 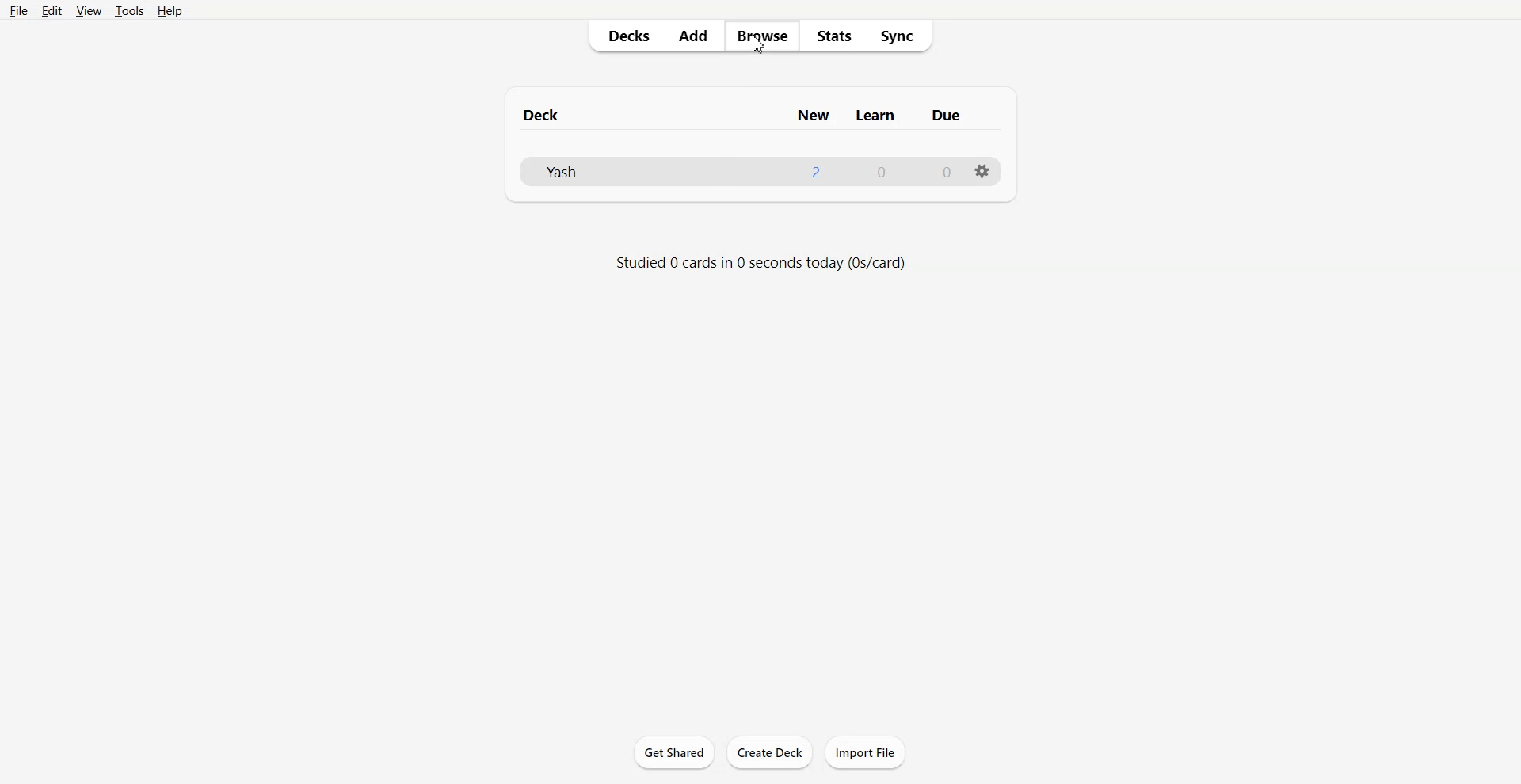 What do you see at coordinates (128, 10) in the screenshot?
I see `Tools` at bounding box center [128, 10].